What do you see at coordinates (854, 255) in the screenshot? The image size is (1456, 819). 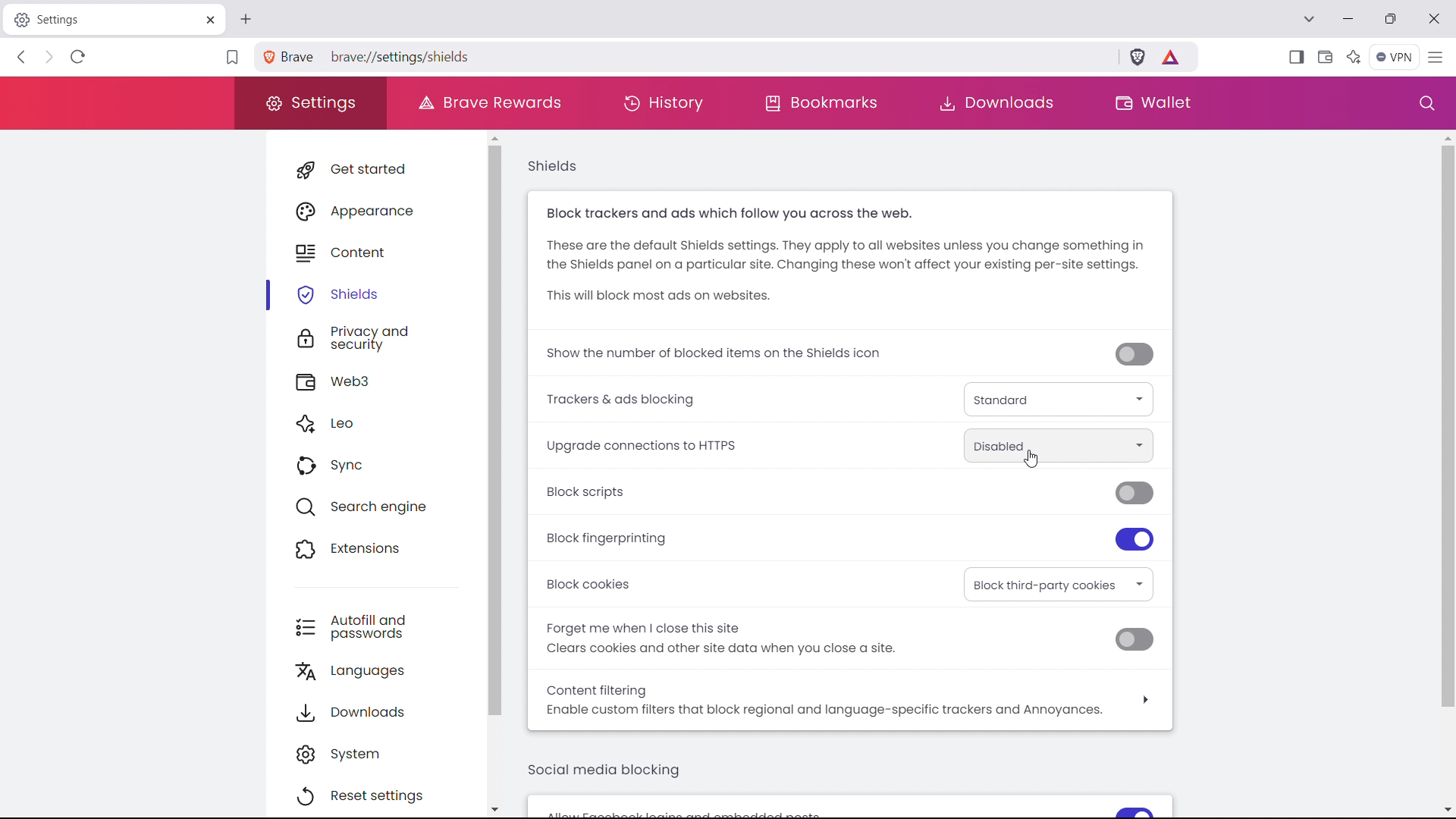 I see `These are the default Shields settings. They apply to all websites unless you change something in
the Shields panel on a particular site. Changing these won't affect your existing per-site settings.` at bounding box center [854, 255].